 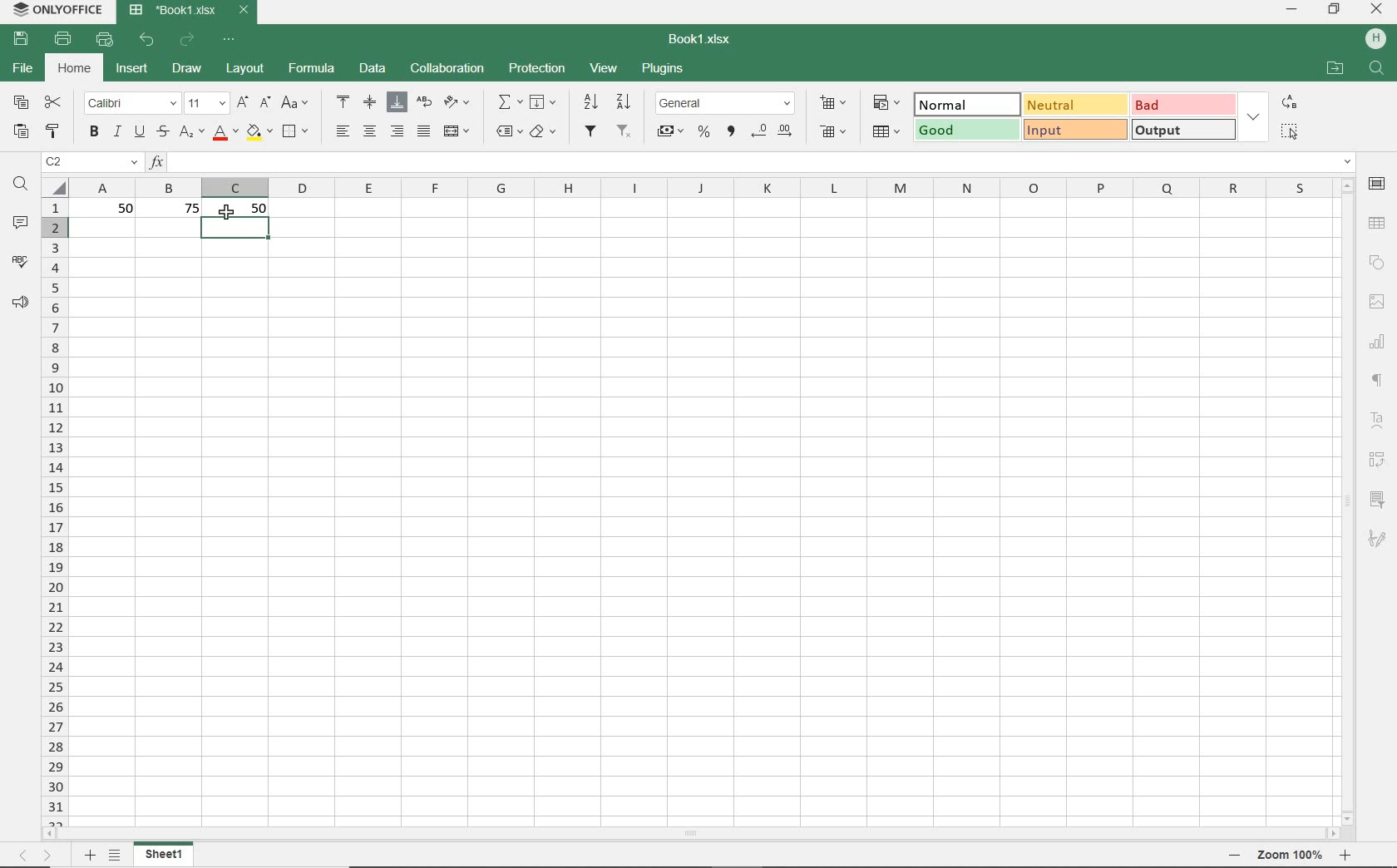 What do you see at coordinates (19, 303) in the screenshot?
I see `feedback & support` at bounding box center [19, 303].